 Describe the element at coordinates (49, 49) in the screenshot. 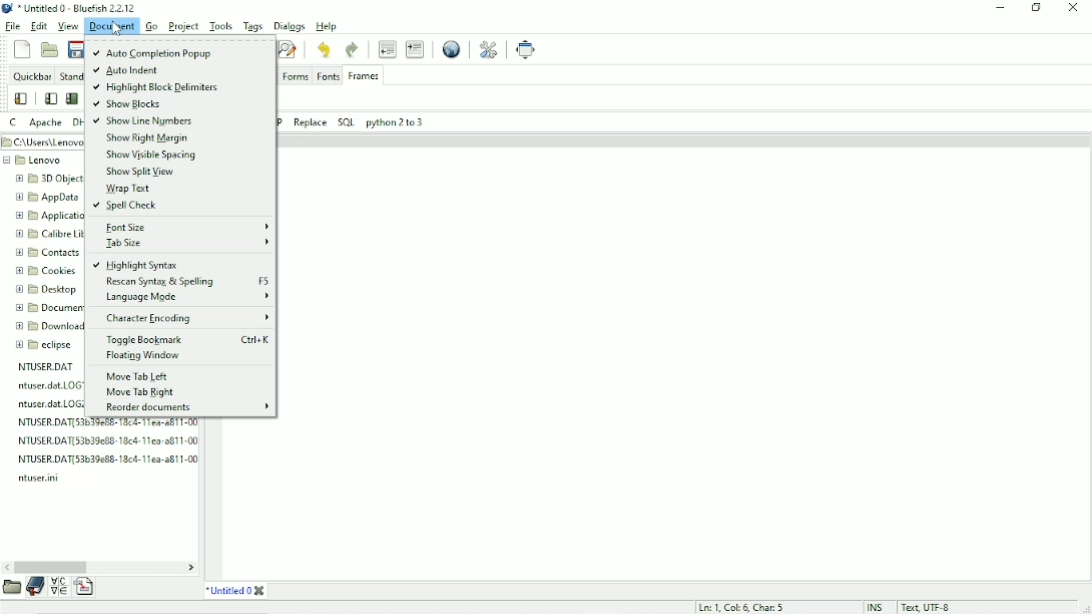

I see `Open file` at that location.